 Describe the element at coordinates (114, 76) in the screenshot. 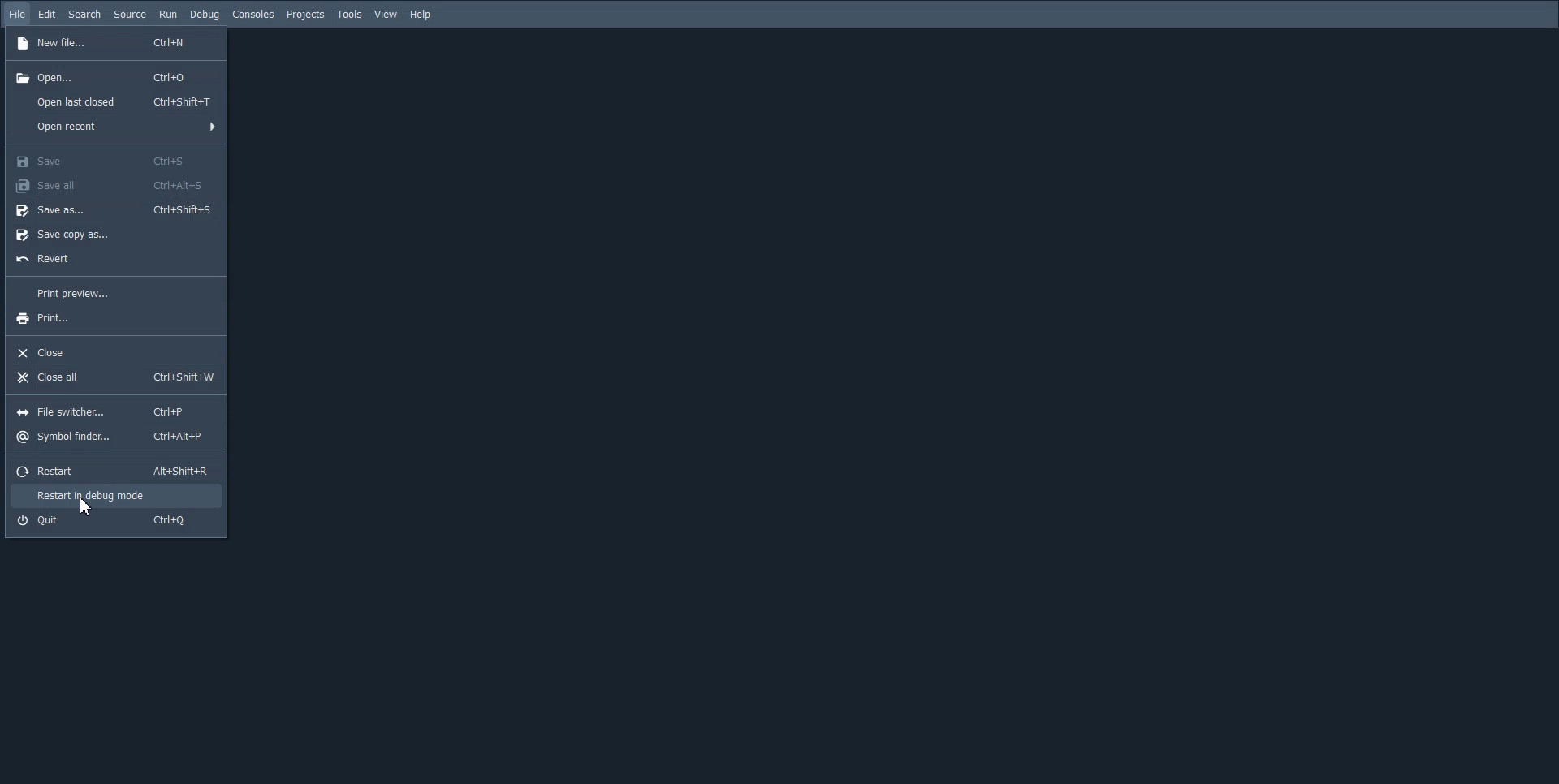

I see `Open` at that location.